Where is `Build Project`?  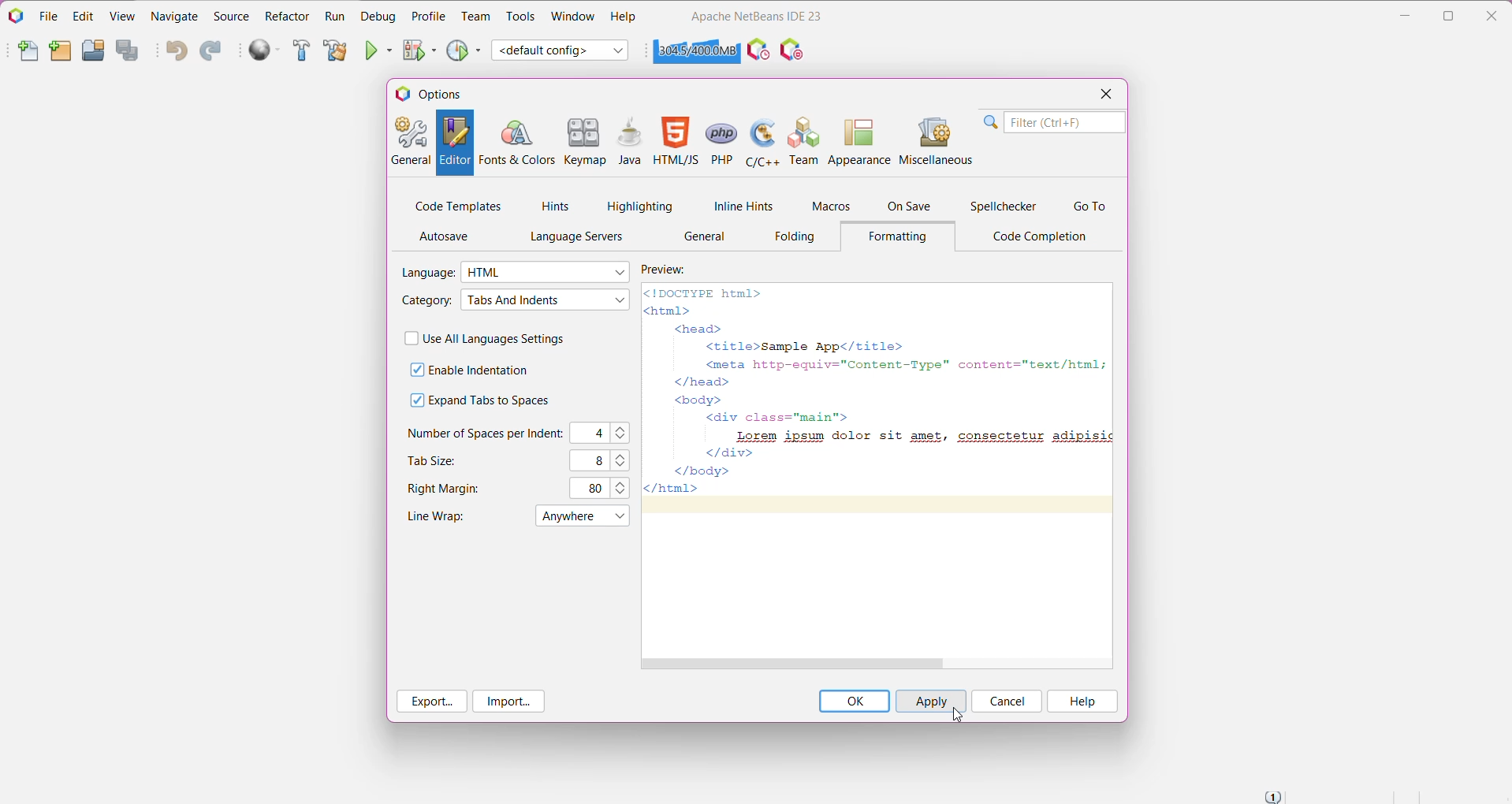
Build Project is located at coordinates (302, 51).